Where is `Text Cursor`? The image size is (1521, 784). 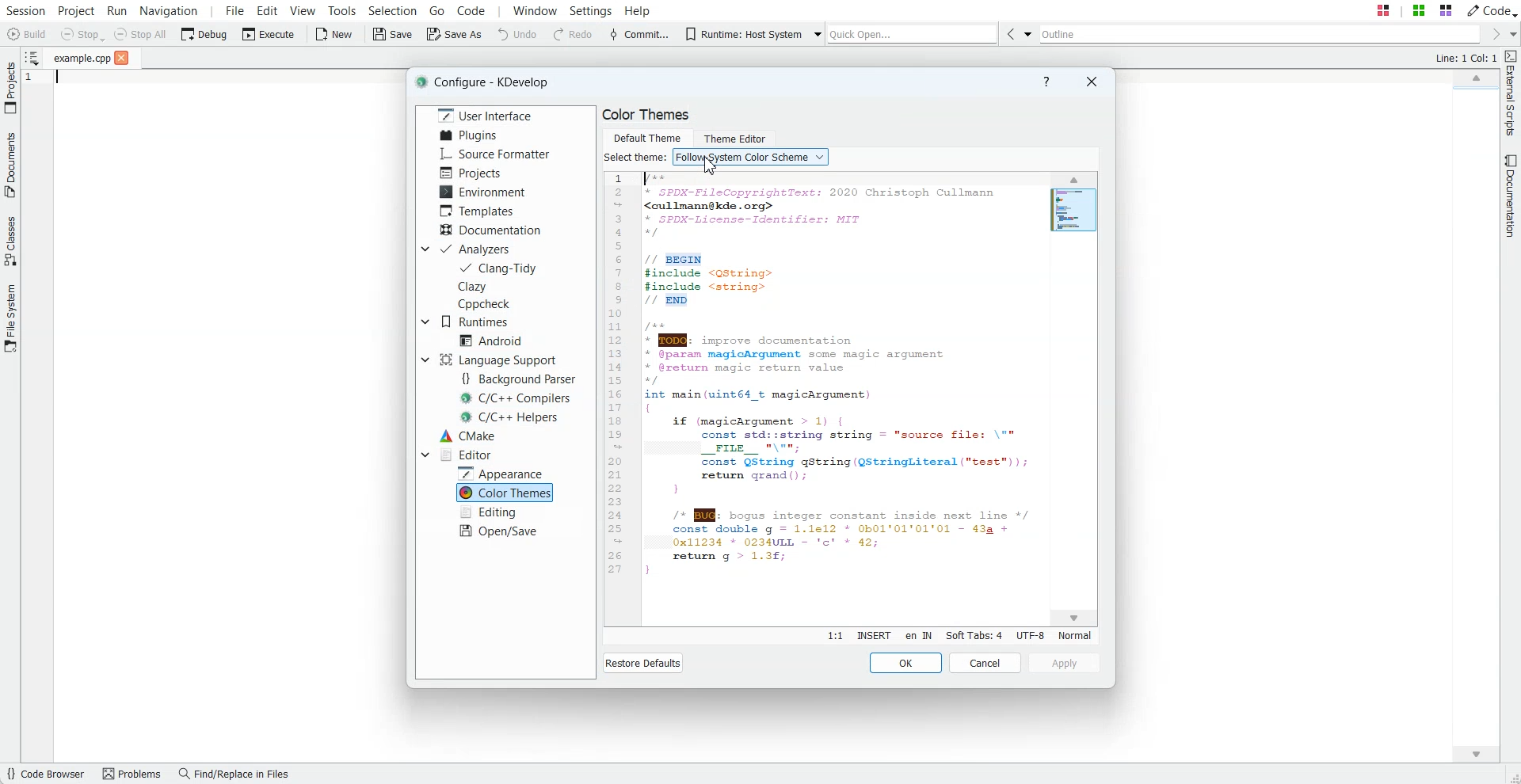
Text Cursor is located at coordinates (55, 82).